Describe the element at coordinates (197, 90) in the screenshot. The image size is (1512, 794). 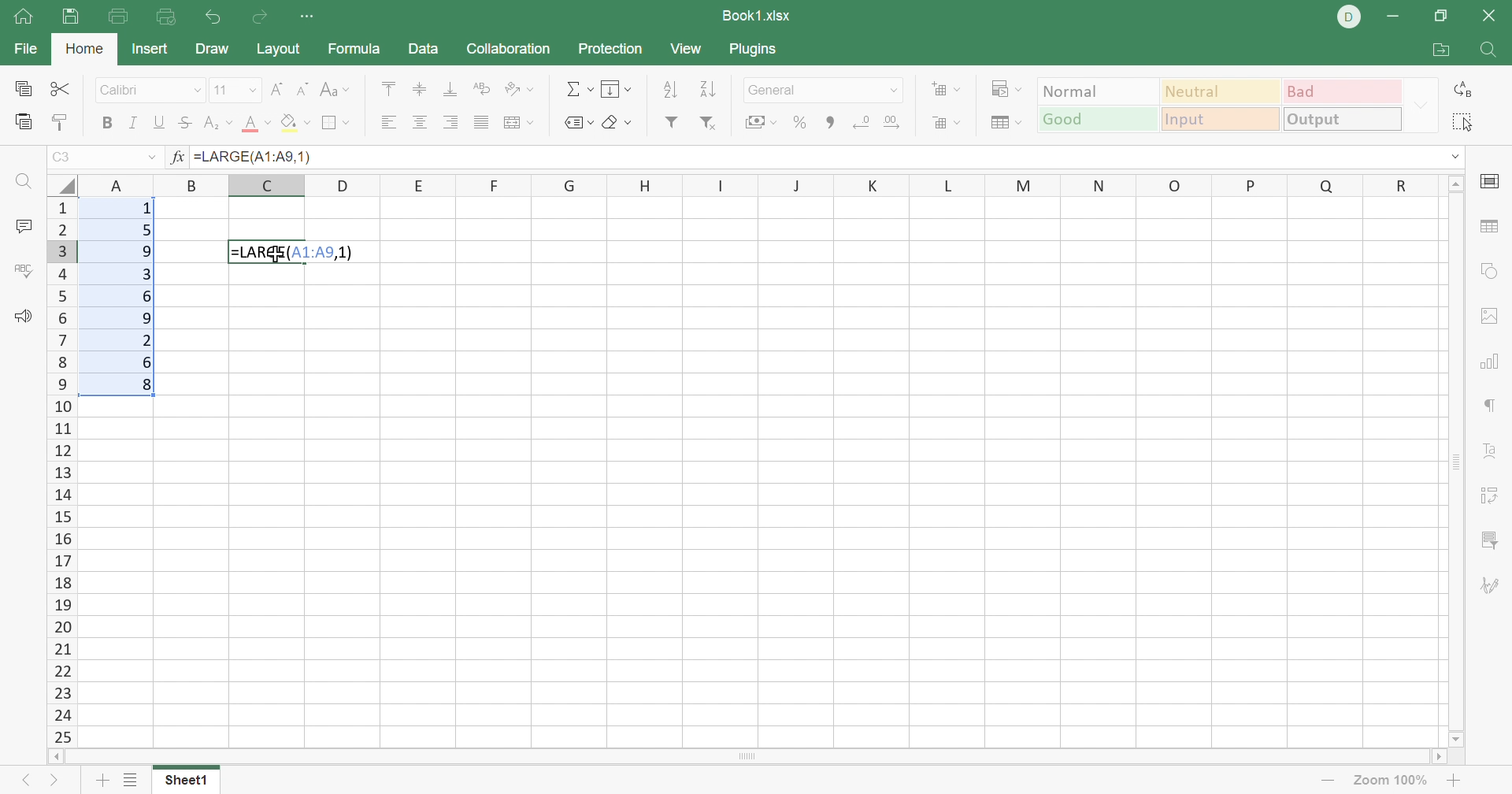
I see `Drop Down` at that location.